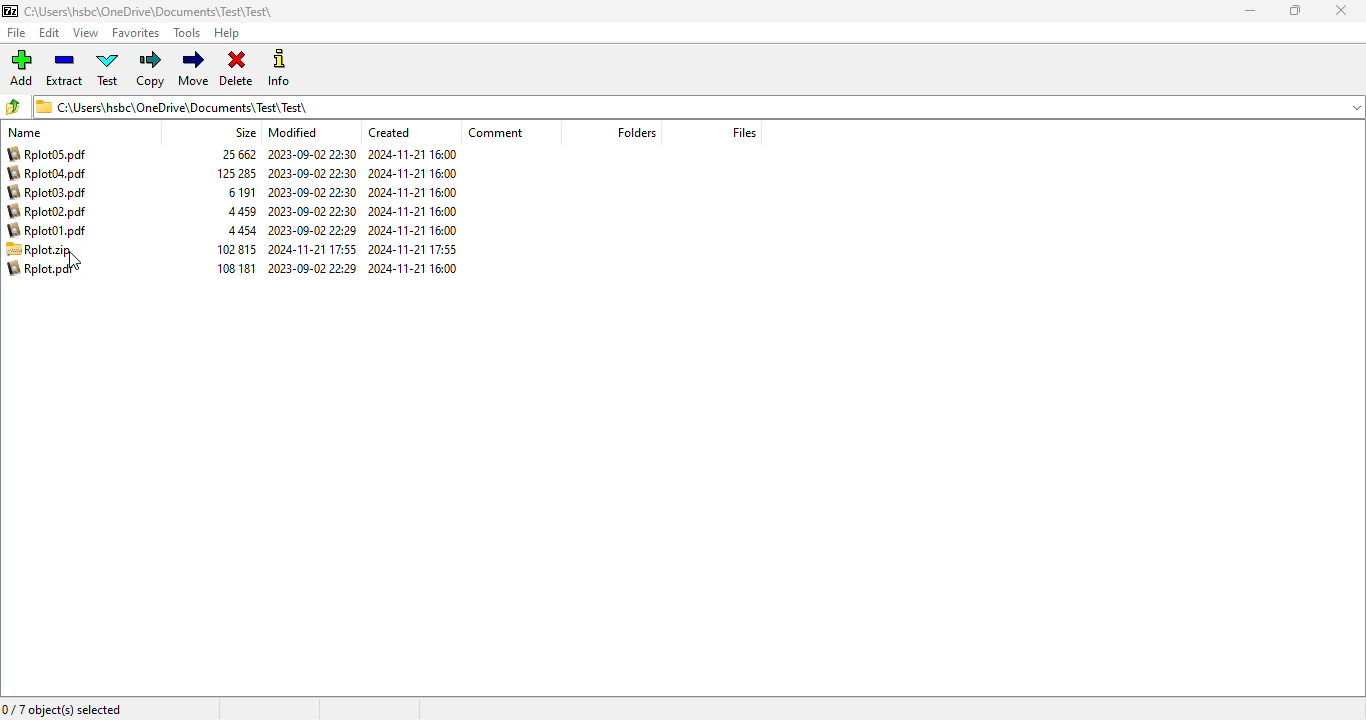  I want to click on comment, so click(495, 132).